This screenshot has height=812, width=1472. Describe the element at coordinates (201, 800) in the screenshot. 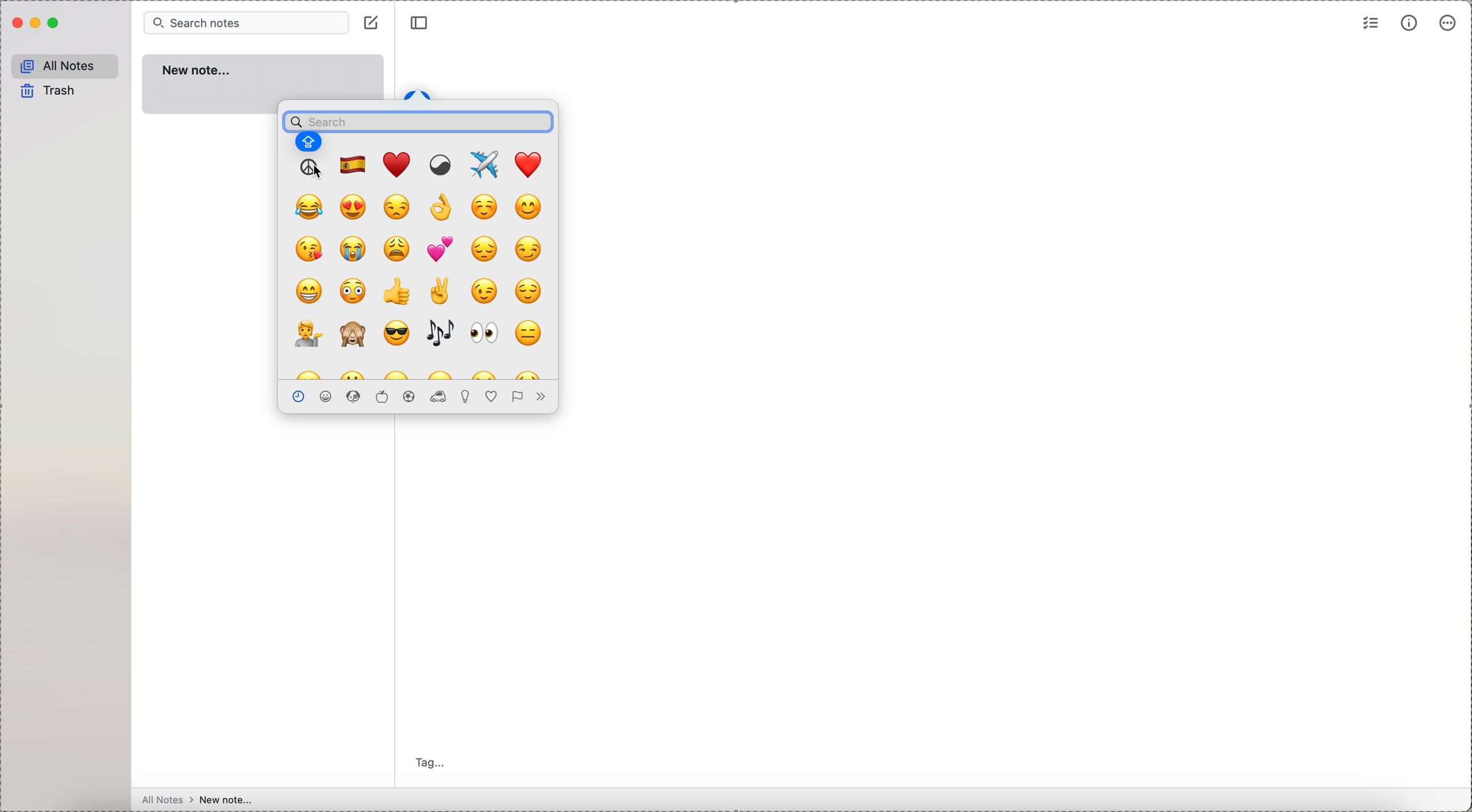

I see `all notes > new note...` at that location.